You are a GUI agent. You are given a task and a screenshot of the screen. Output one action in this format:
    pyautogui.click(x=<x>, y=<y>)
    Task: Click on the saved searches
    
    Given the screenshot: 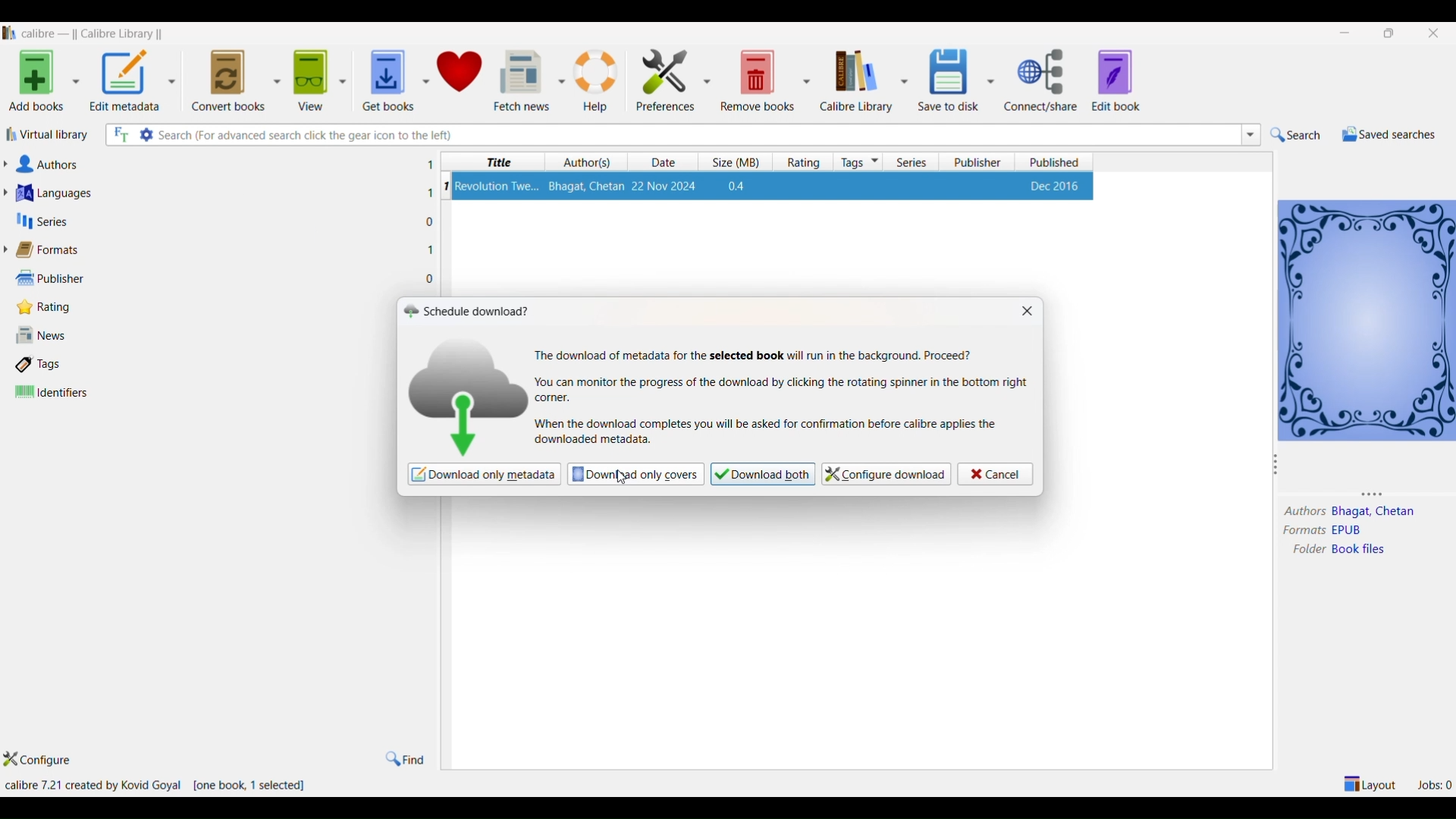 What is the action you would take?
    pyautogui.click(x=1387, y=134)
    